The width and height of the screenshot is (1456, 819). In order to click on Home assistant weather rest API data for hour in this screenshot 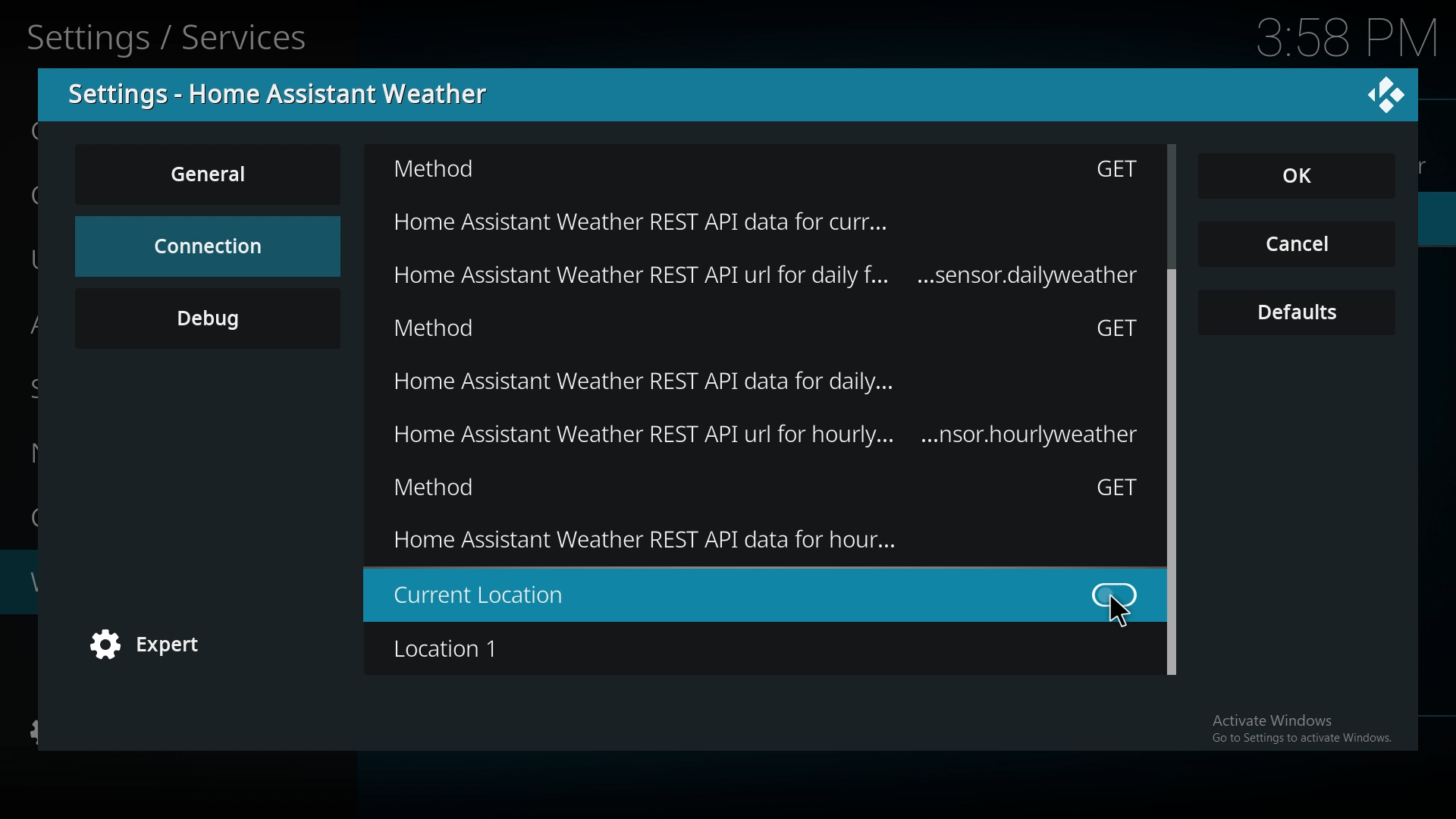, I will do `click(767, 547)`.